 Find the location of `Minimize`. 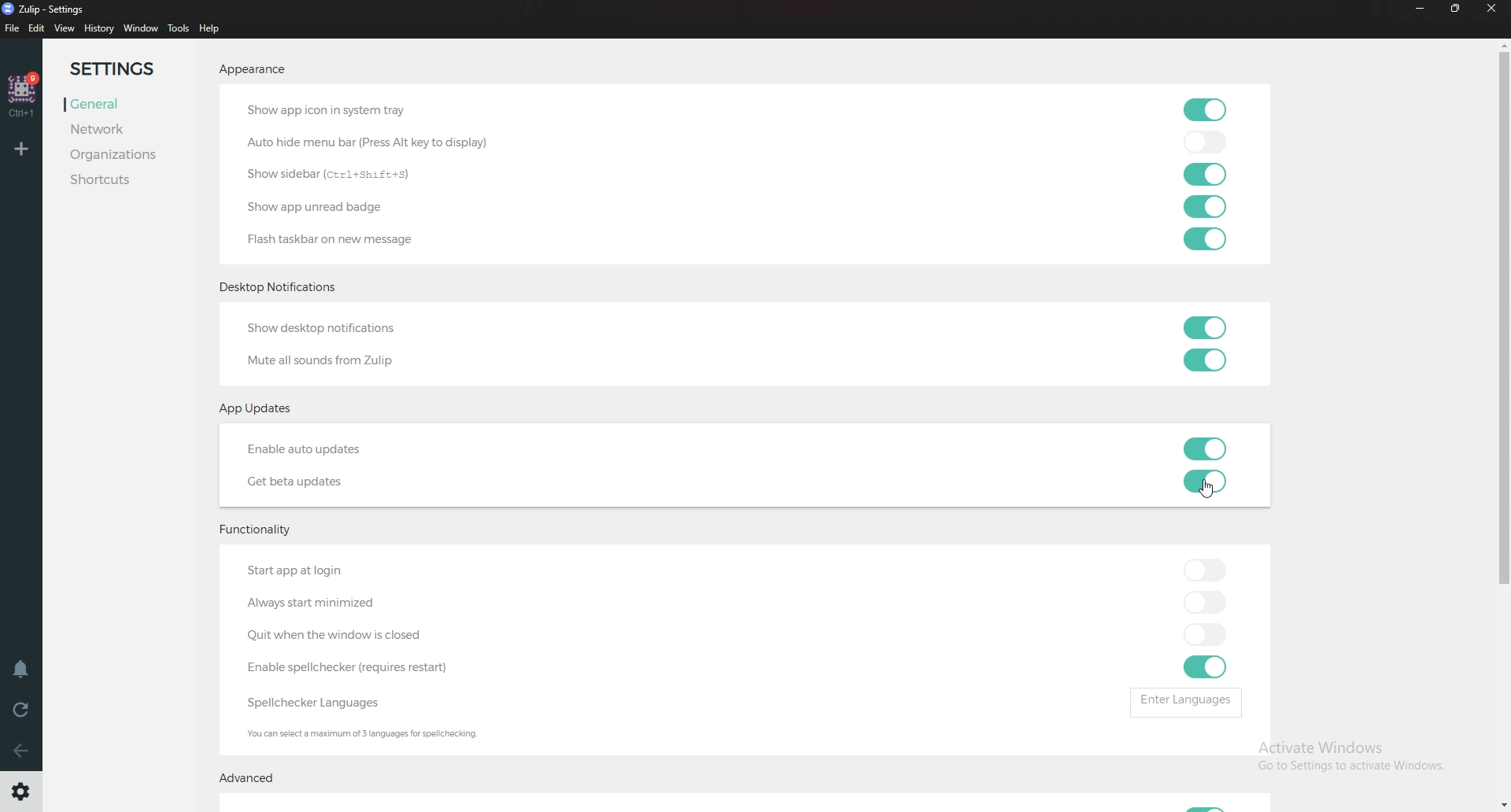

Minimize is located at coordinates (1421, 9).